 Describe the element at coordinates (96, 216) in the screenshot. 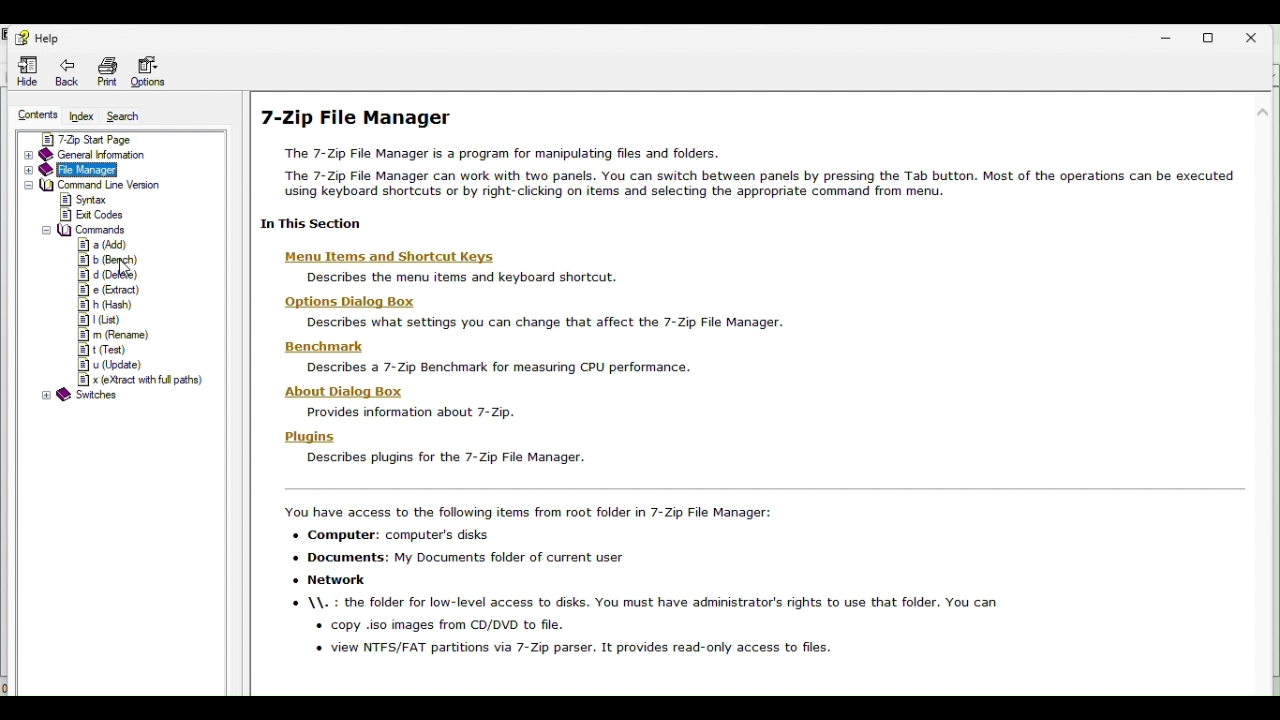

I see `exit` at that location.